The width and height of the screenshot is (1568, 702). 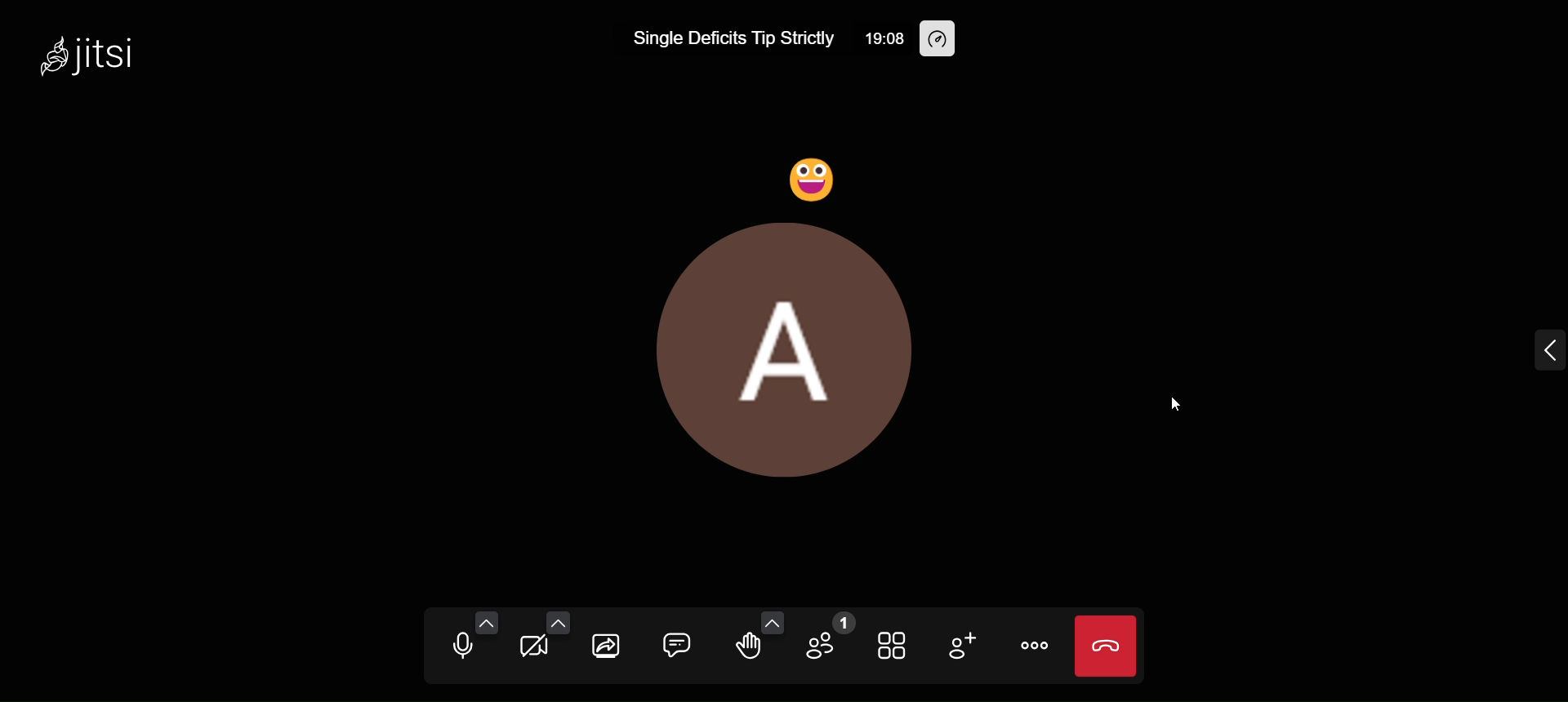 I want to click on start camera, so click(x=535, y=646).